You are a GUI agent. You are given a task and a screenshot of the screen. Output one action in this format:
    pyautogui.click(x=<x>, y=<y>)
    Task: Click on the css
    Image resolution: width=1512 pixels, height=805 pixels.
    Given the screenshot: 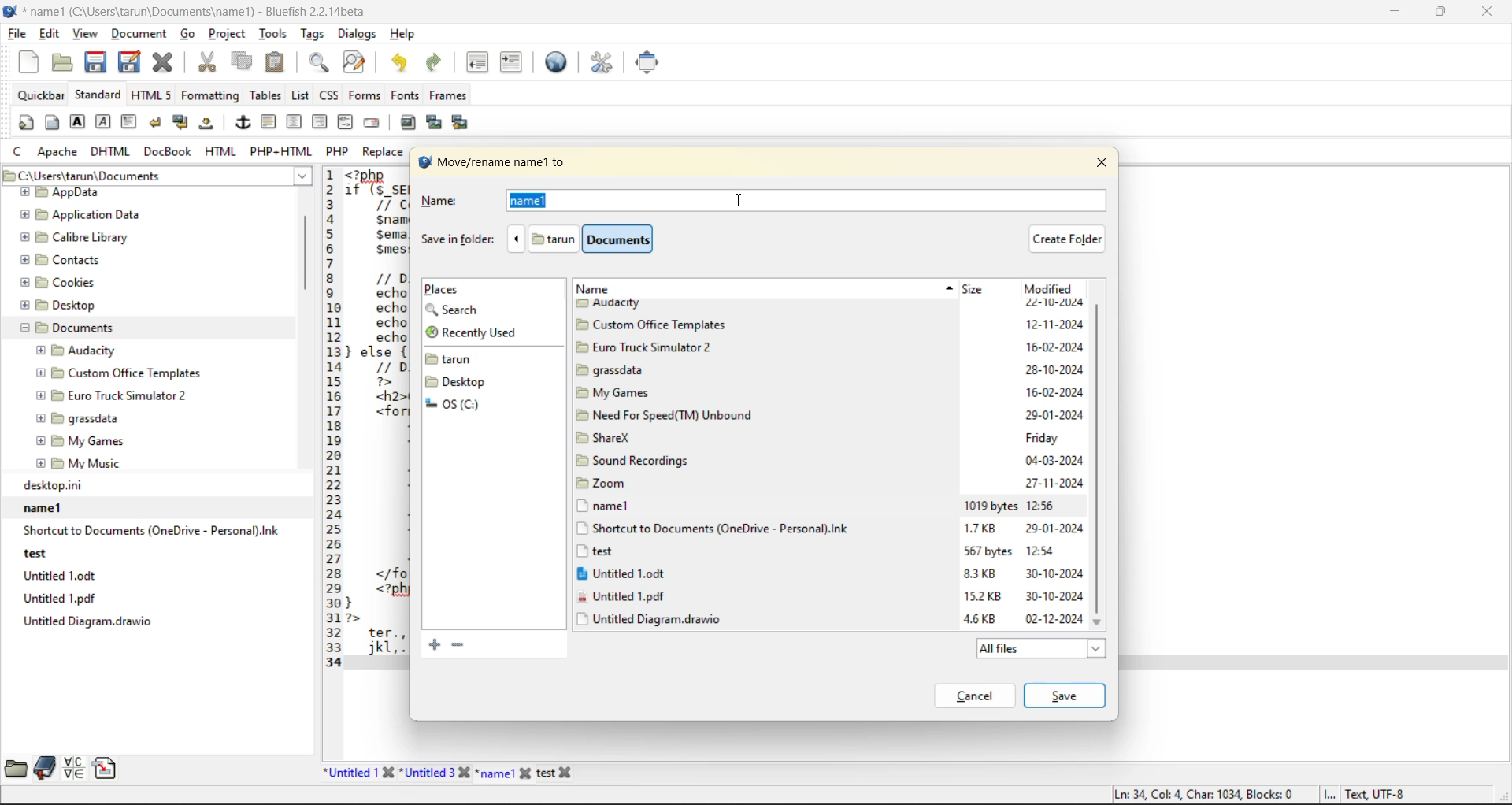 What is the action you would take?
    pyautogui.click(x=330, y=95)
    